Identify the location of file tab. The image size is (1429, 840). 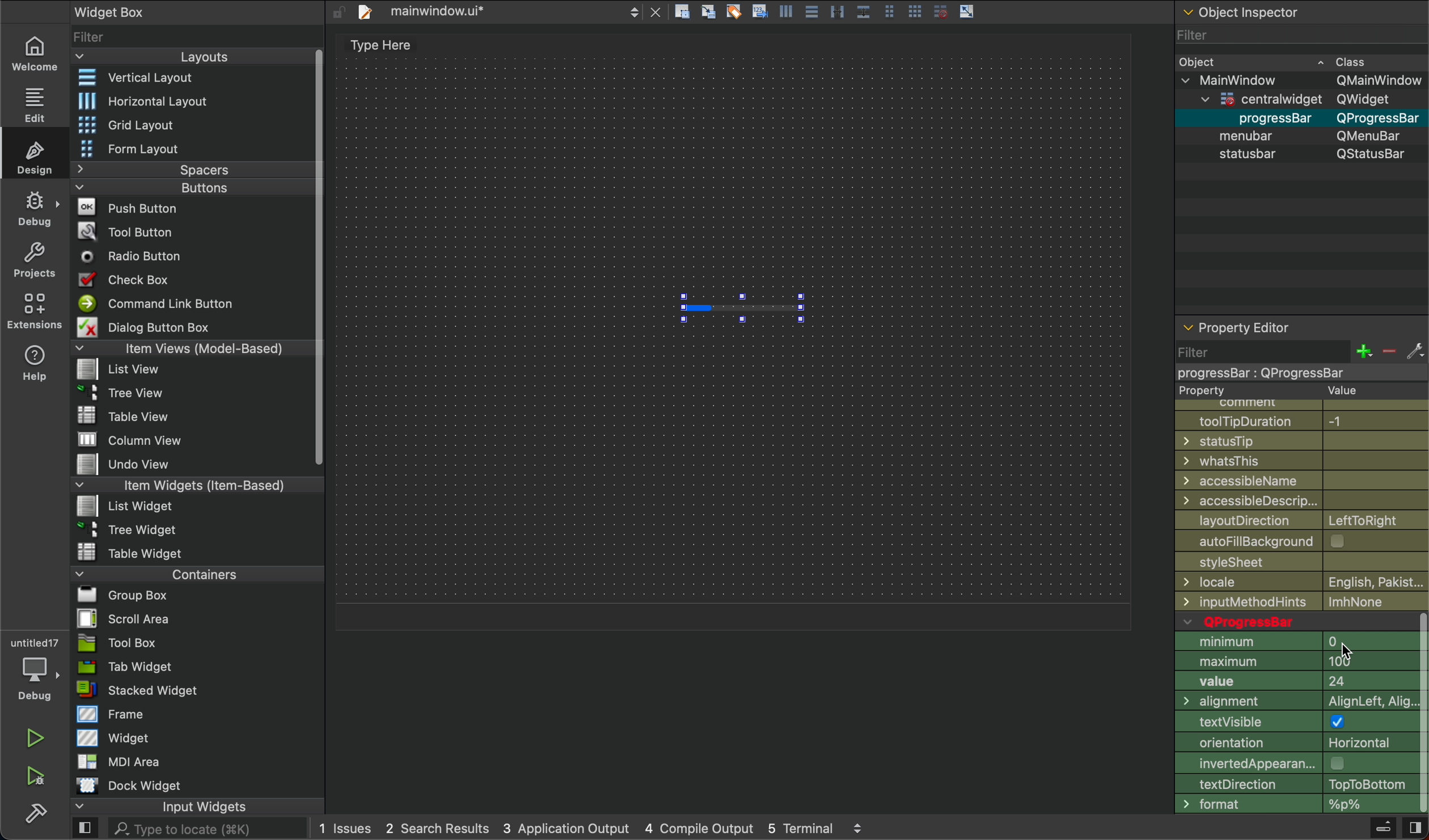
(508, 13).